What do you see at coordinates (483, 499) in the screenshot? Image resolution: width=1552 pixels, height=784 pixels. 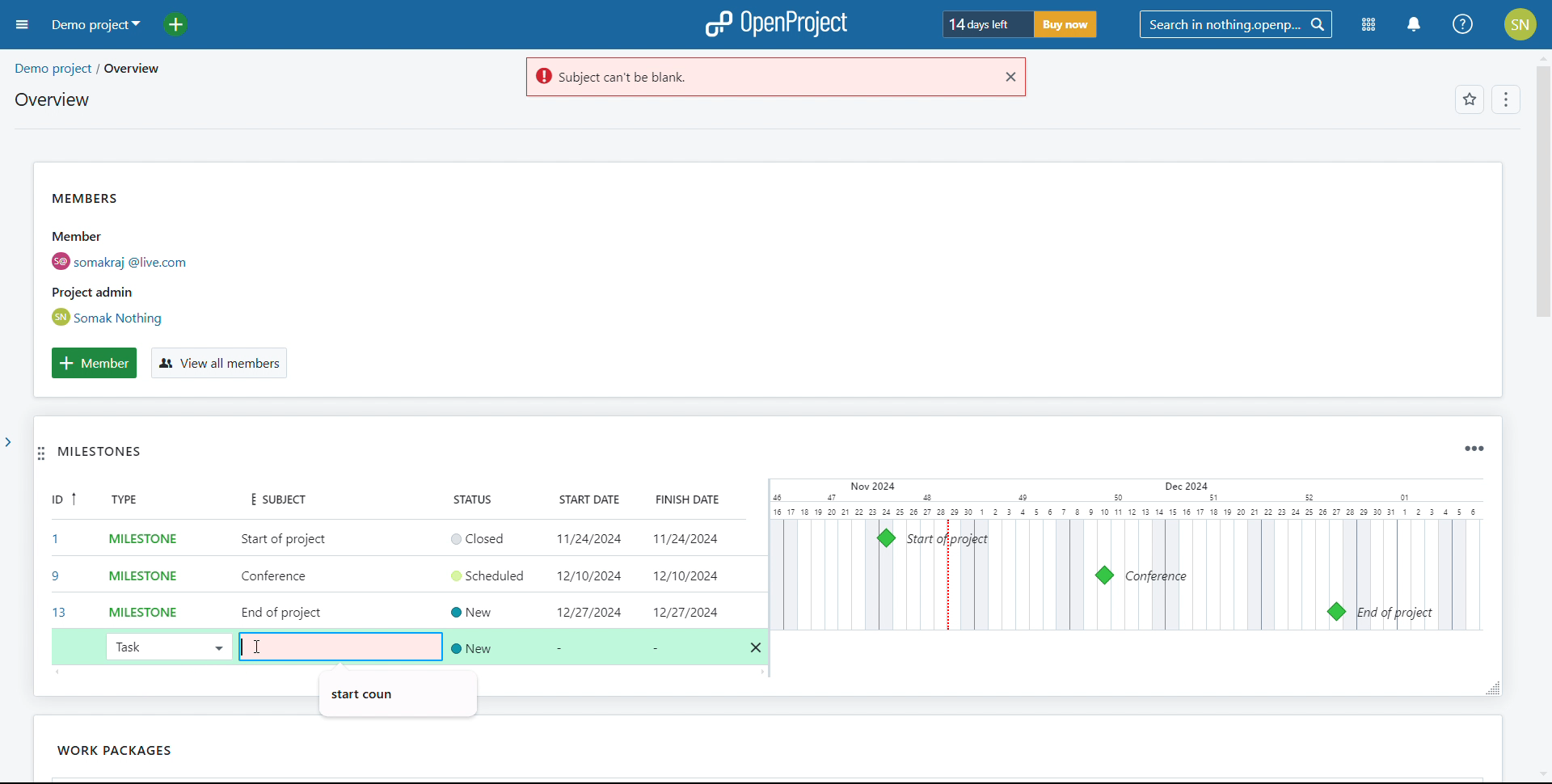 I see `status` at bounding box center [483, 499].